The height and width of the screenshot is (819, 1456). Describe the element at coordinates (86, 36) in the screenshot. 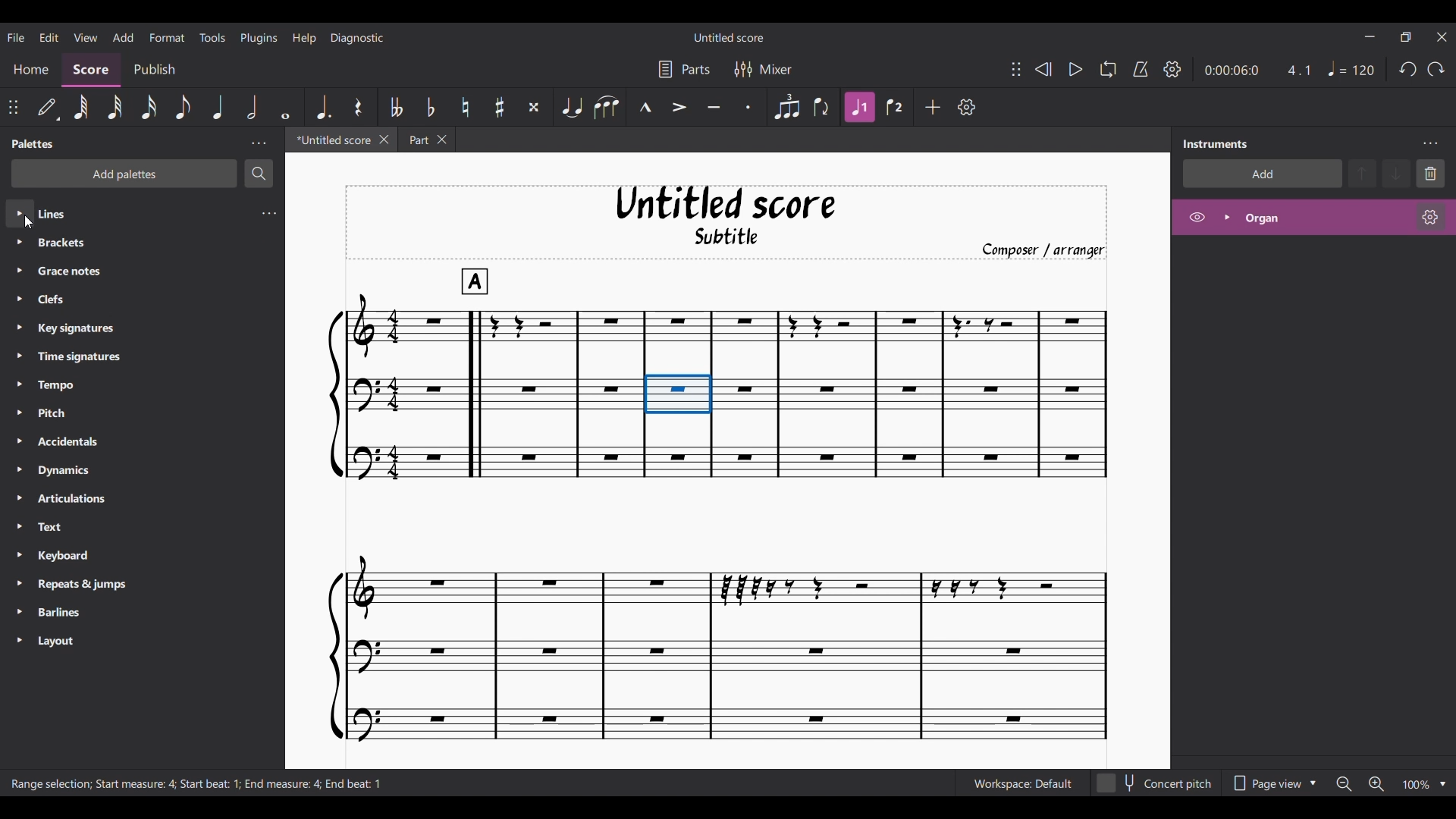

I see `View menu` at that location.